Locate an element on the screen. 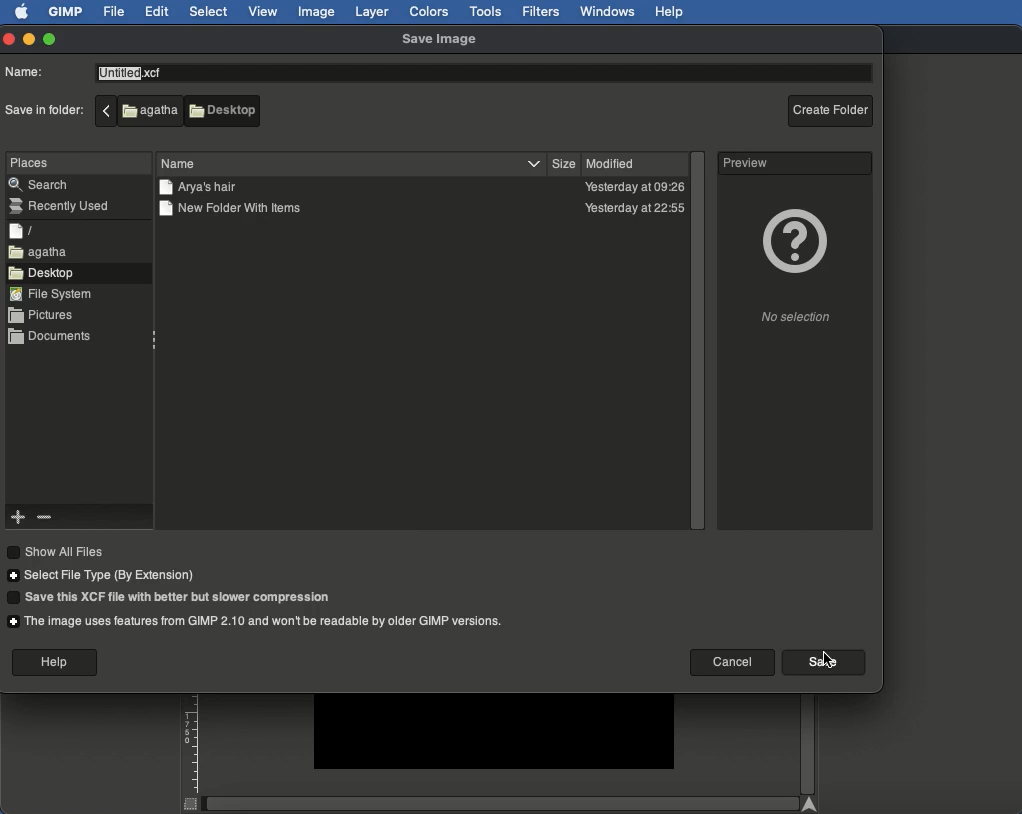  Save is located at coordinates (820, 662).